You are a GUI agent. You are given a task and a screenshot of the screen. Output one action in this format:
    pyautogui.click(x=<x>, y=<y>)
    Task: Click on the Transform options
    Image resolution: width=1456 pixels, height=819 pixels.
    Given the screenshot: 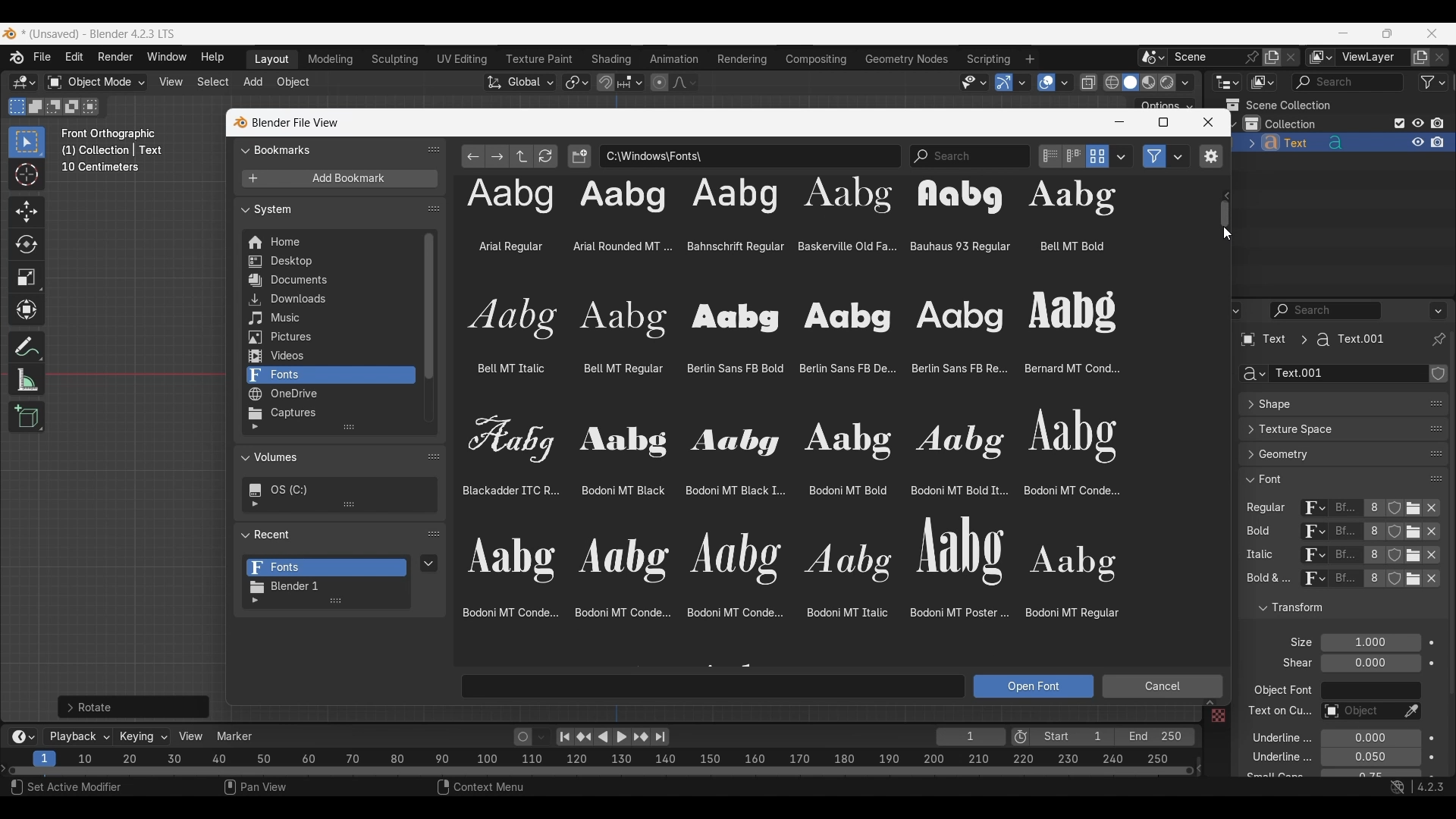 What is the action you would take?
    pyautogui.click(x=1165, y=104)
    